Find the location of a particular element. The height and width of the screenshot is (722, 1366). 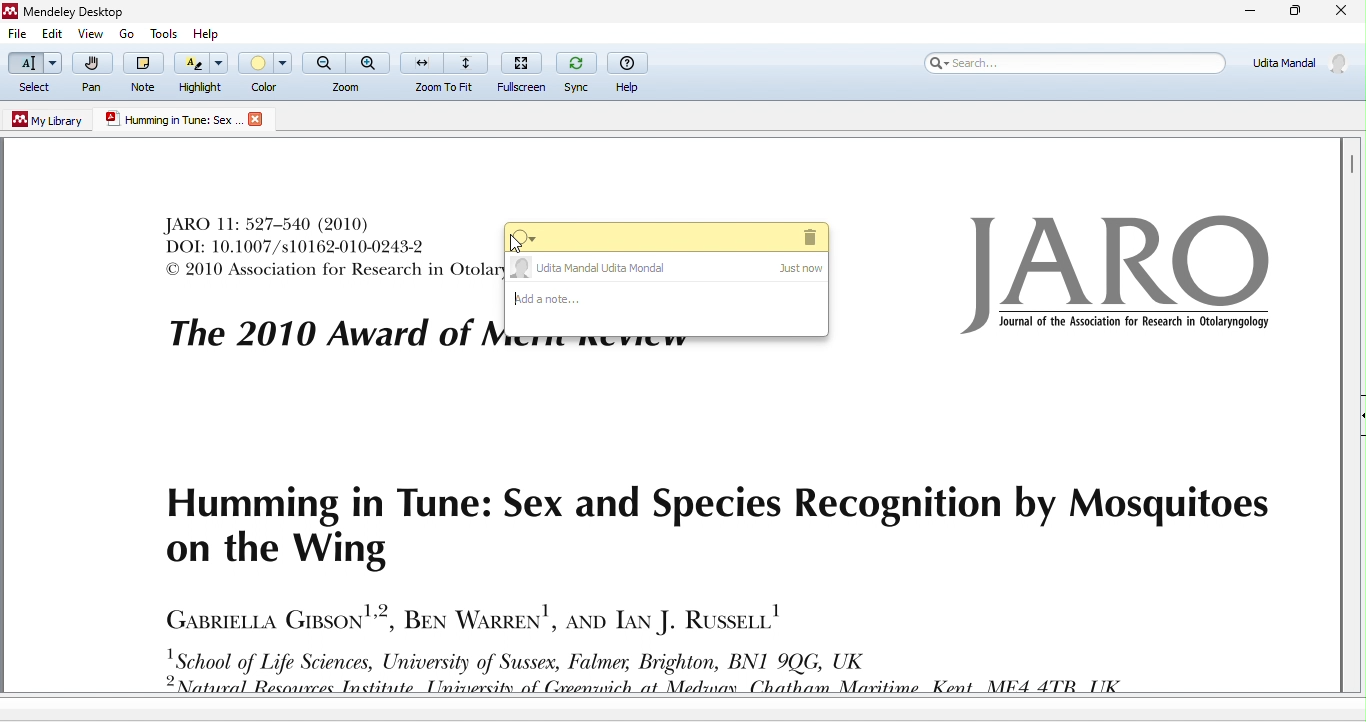

cursor movement is located at coordinates (518, 247).